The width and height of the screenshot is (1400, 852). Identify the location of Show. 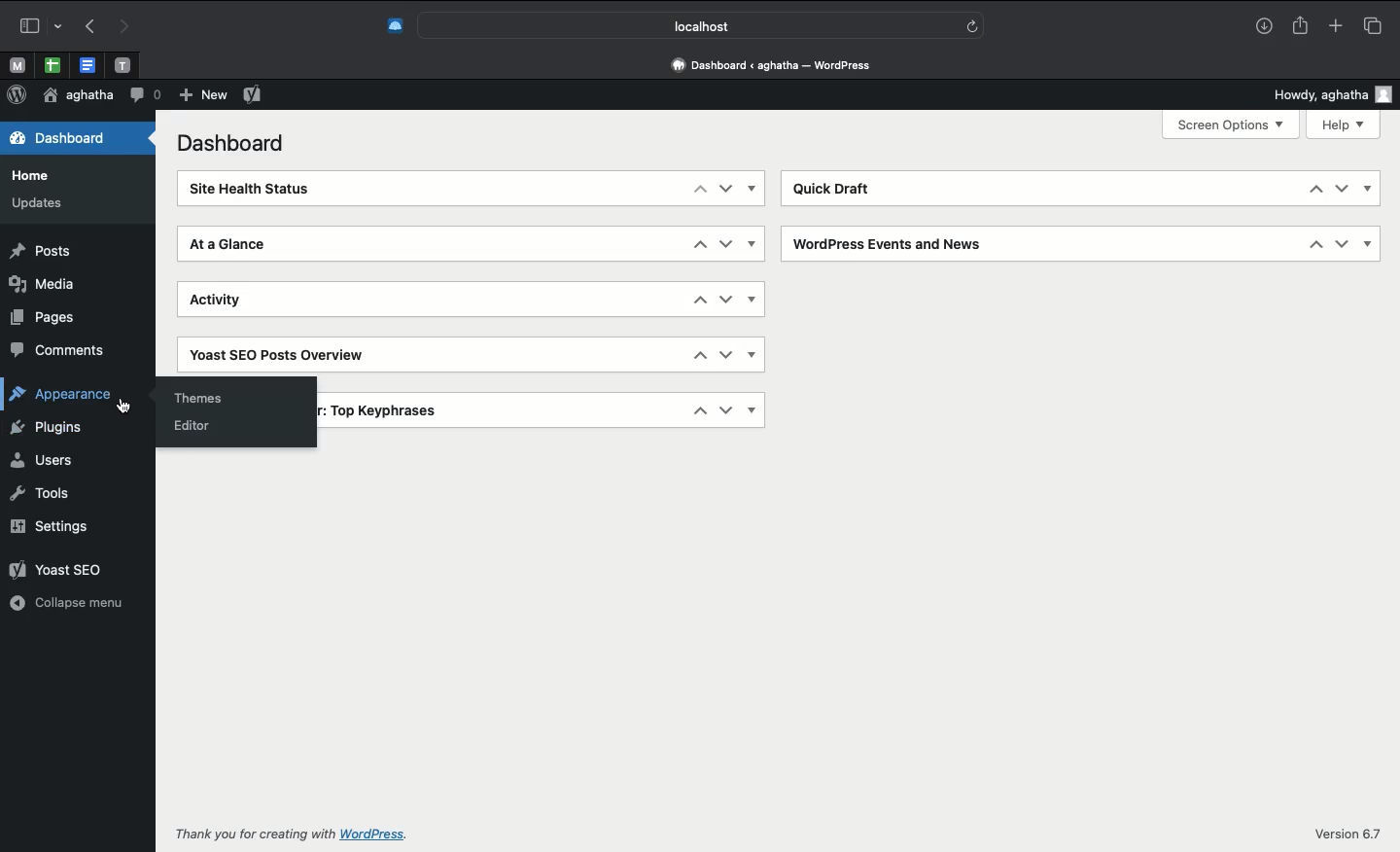
(752, 300).